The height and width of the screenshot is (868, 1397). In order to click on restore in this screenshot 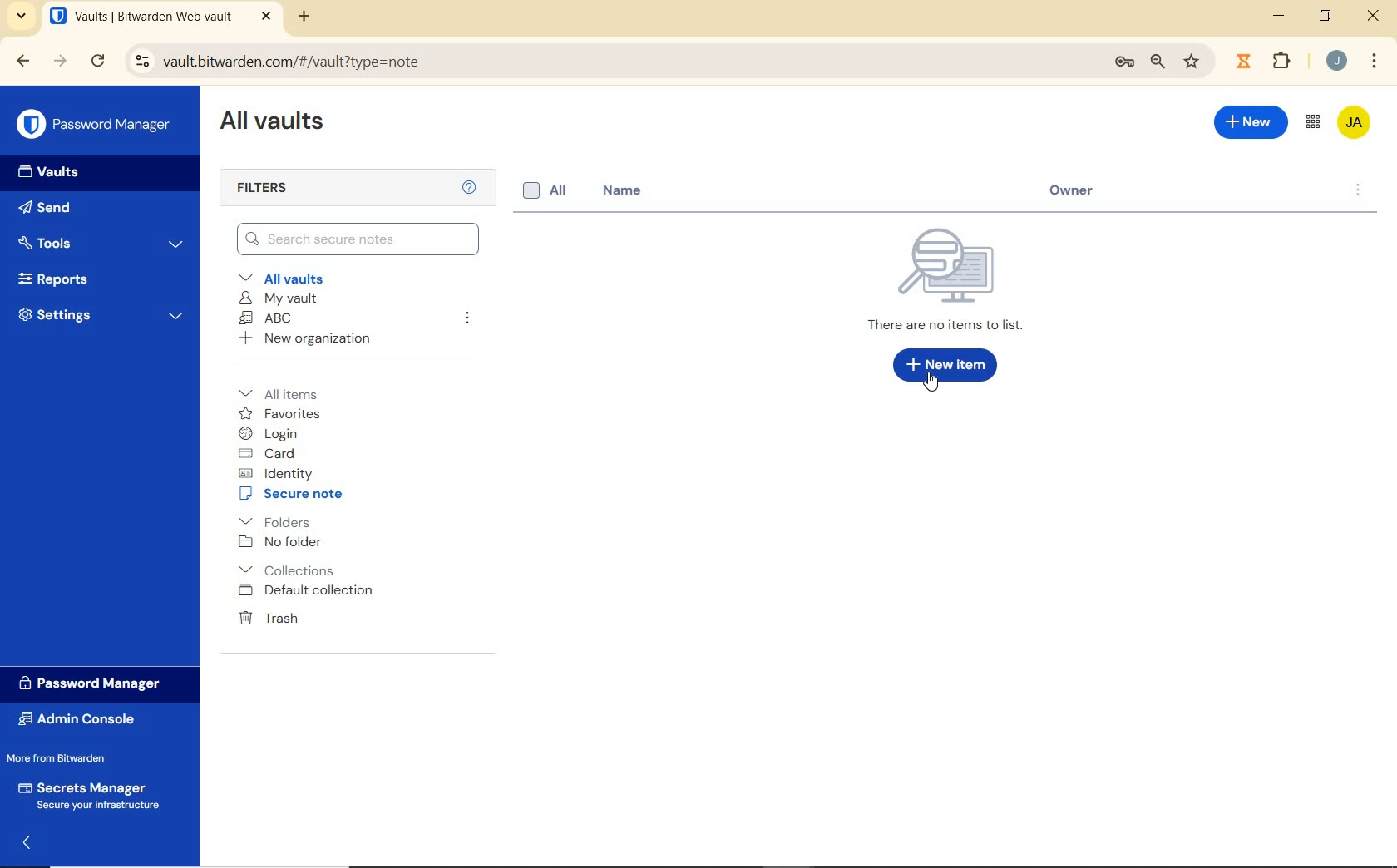, I will do `click(1325, 16)`.